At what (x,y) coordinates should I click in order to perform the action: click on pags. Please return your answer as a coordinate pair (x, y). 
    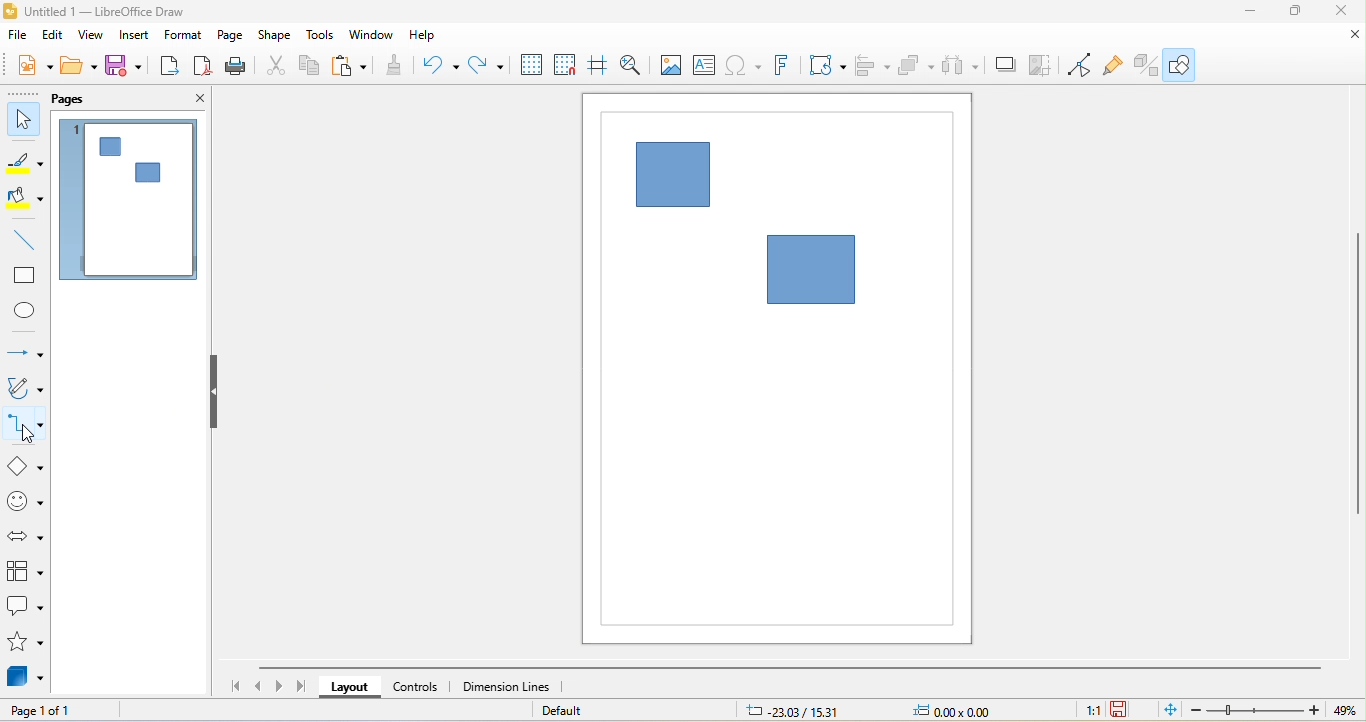
    Looking at the image, I should click on (80, 101).